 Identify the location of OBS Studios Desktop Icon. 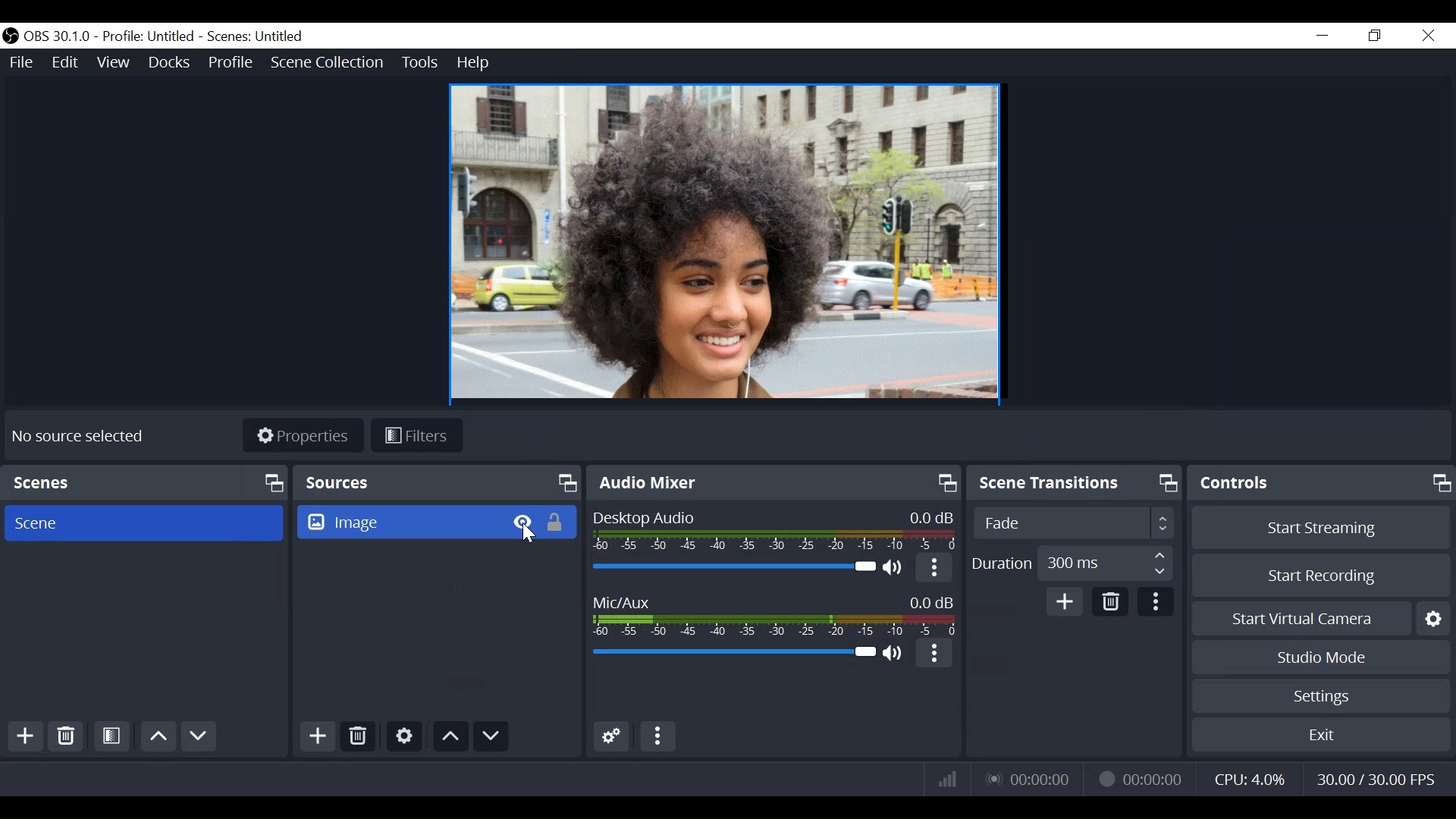
(10, 36).